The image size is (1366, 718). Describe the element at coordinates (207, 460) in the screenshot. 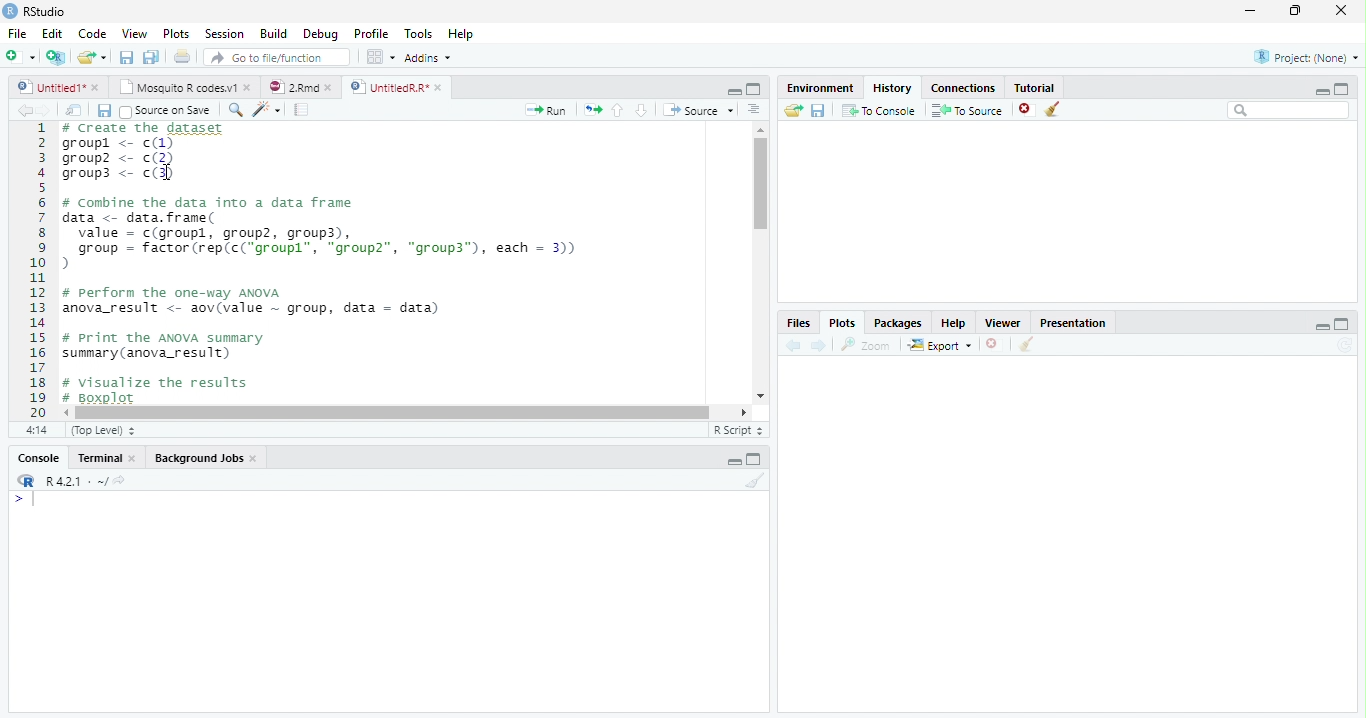

I see `background jobs` at that location.